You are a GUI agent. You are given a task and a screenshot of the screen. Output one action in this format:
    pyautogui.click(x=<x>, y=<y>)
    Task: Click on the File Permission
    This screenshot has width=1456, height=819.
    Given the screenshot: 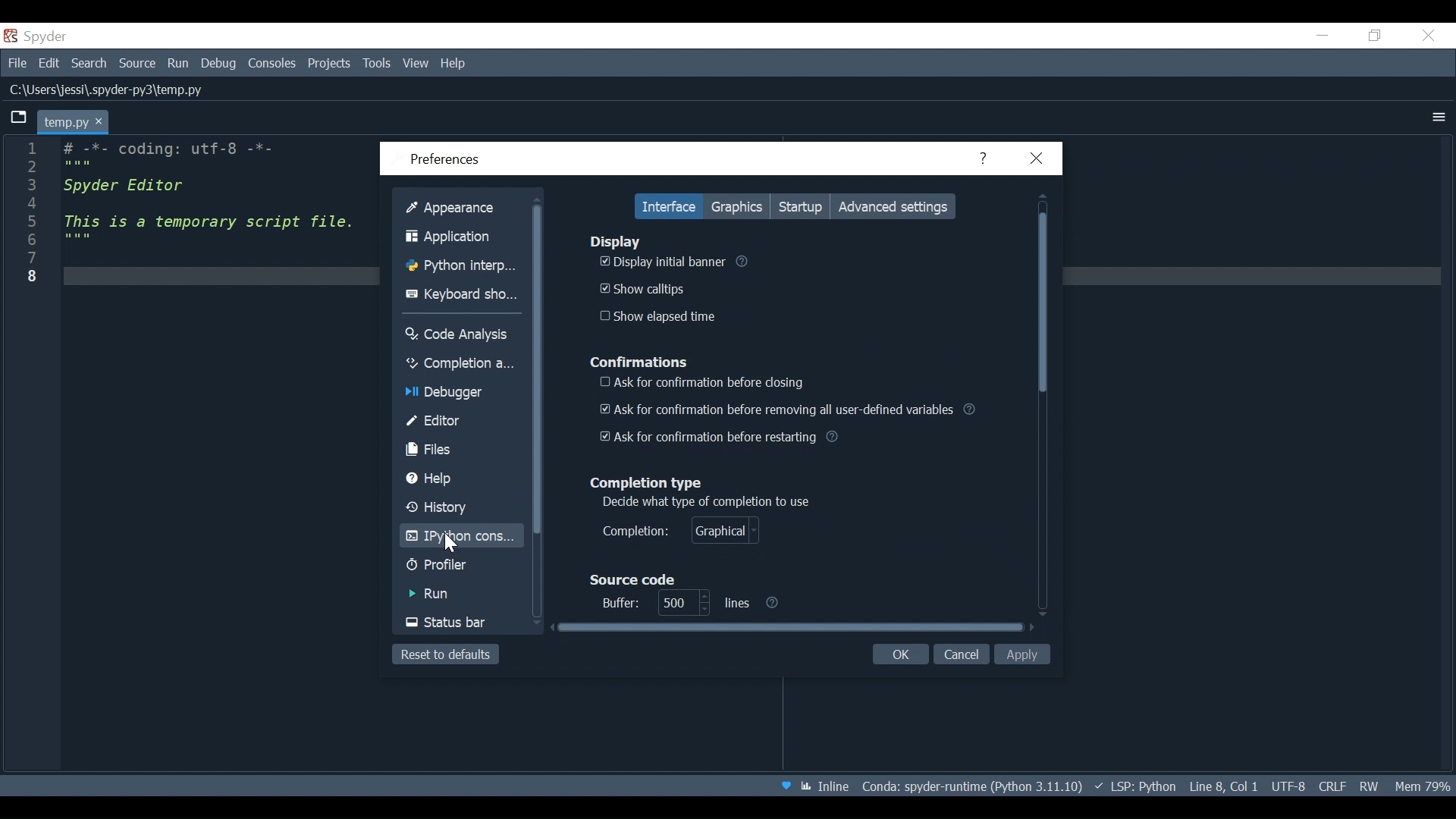 What is the action you would take?
    pyautogui.click(x=1370, y=786)
    